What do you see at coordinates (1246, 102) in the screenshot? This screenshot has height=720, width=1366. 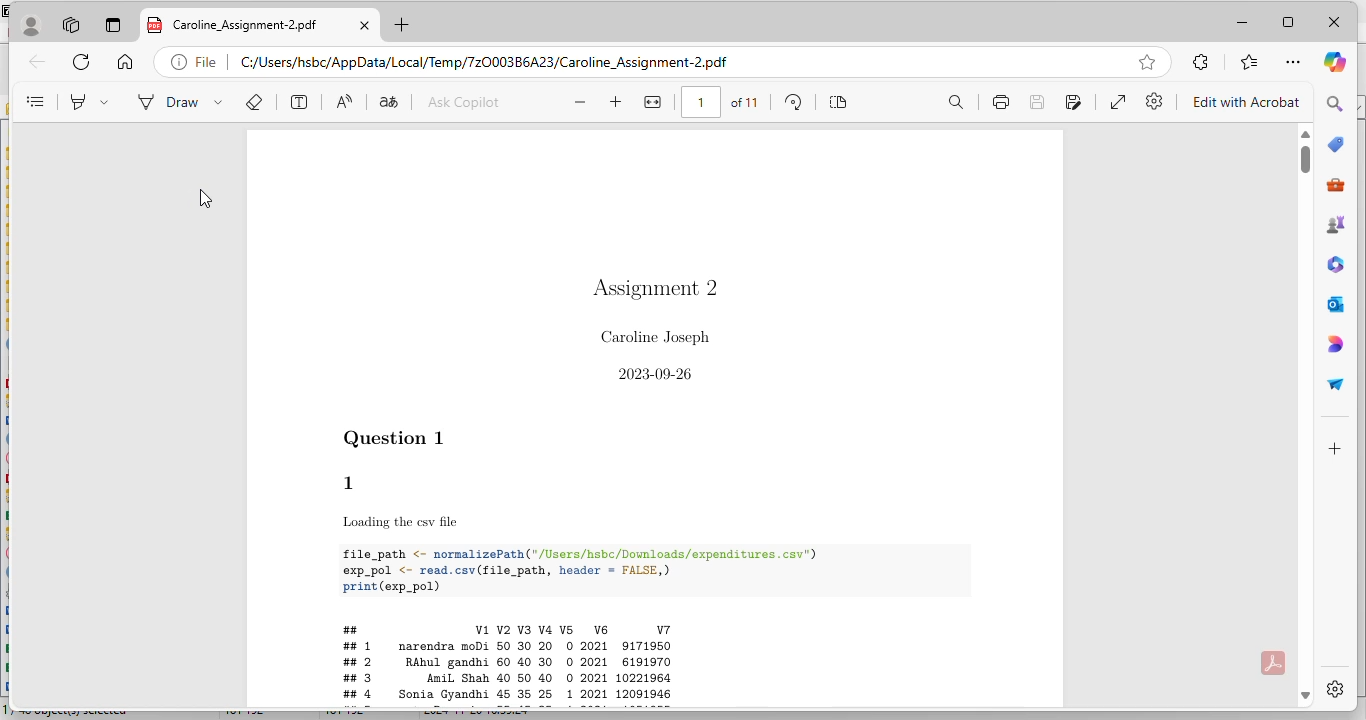 I see `edit with acrobat` at bounding box center [1246, 102].